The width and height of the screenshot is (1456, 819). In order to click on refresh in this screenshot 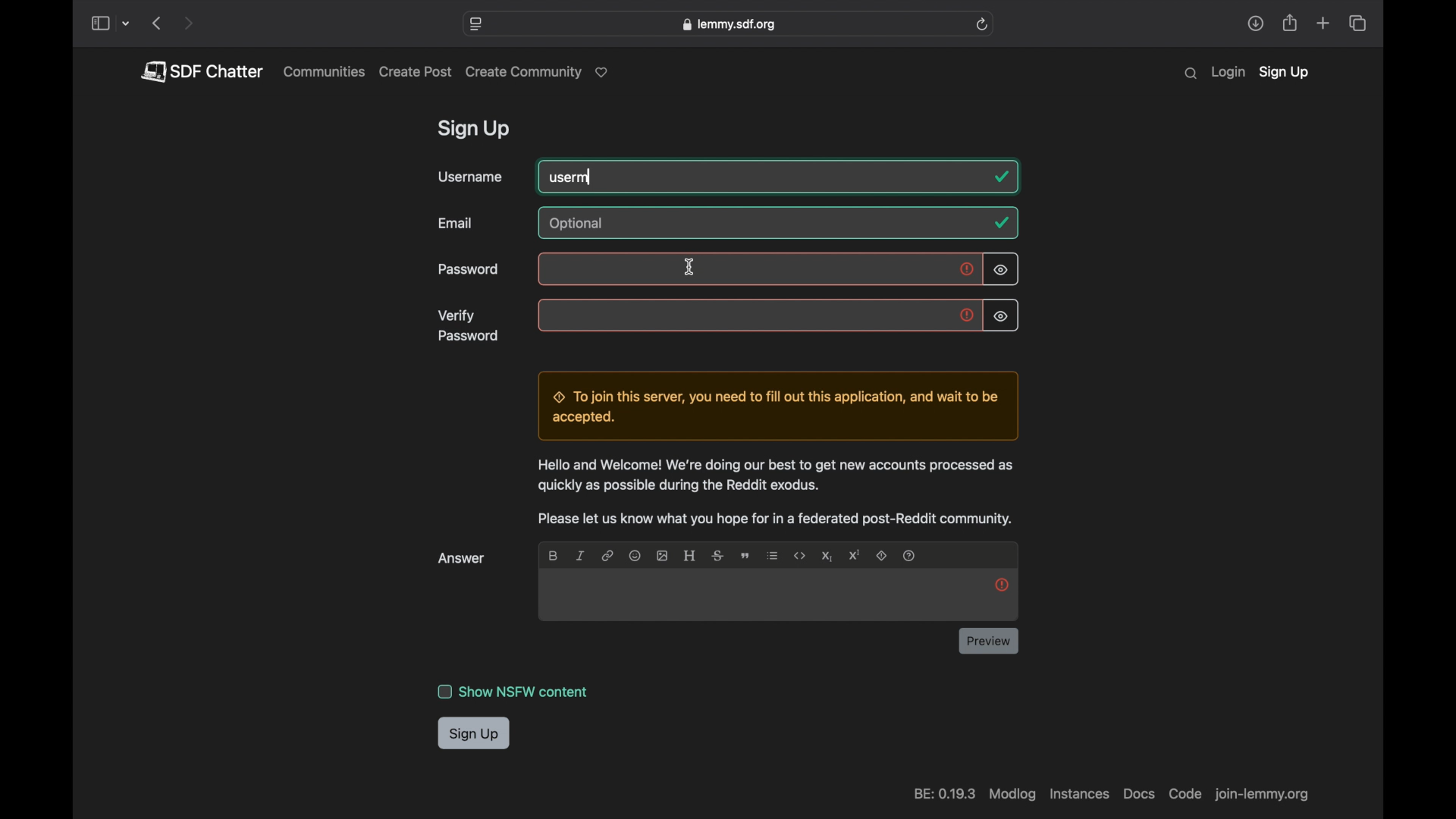, I will do `click(982, 24)`.